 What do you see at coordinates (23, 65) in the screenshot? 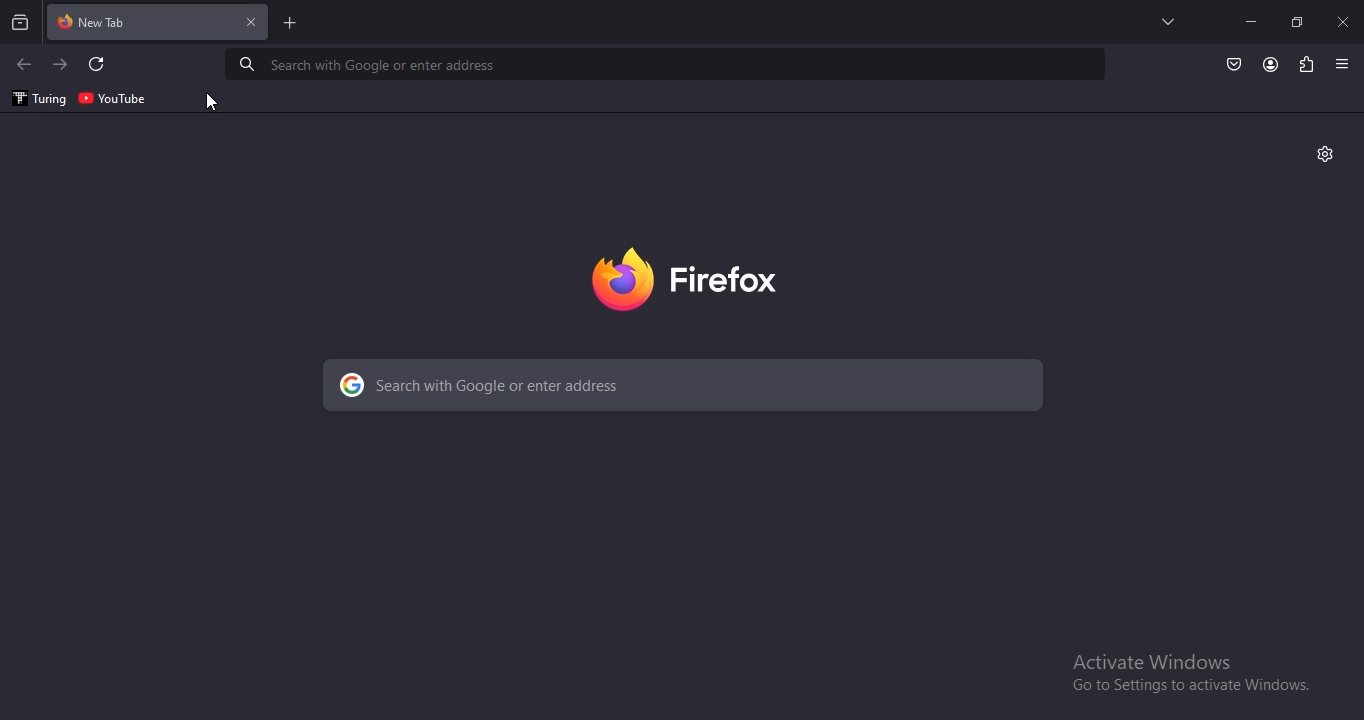
I see `click to go to previous page` at bounding box center [23, 65].